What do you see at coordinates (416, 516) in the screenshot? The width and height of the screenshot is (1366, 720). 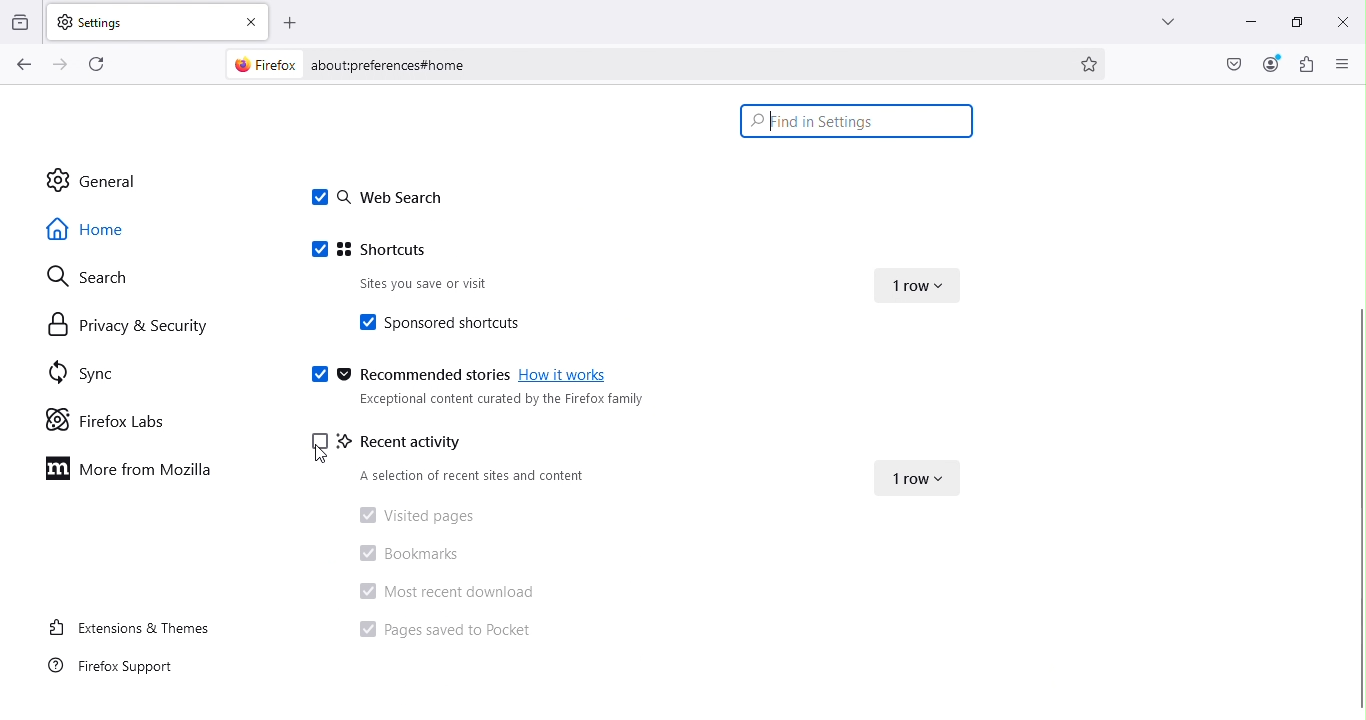 I see `Visited pages` at bounding box center [416, 516].